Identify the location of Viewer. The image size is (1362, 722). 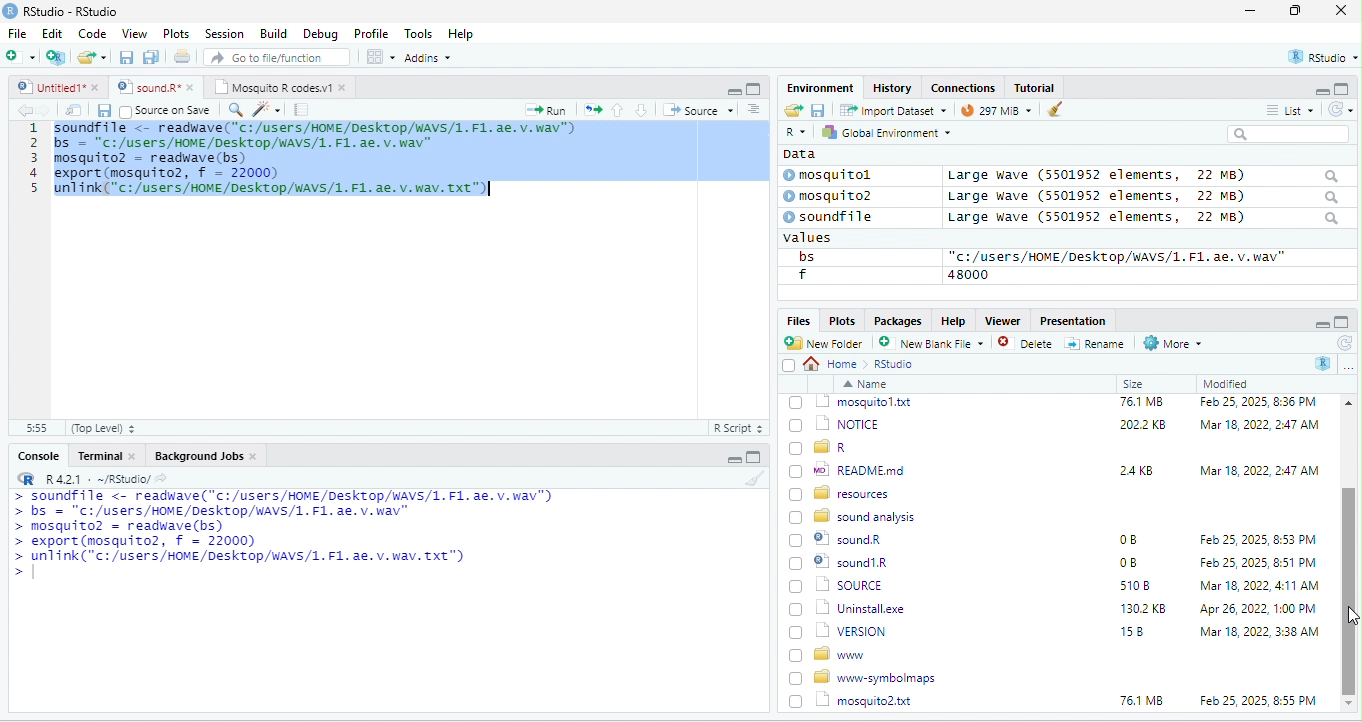
(1000, 321).